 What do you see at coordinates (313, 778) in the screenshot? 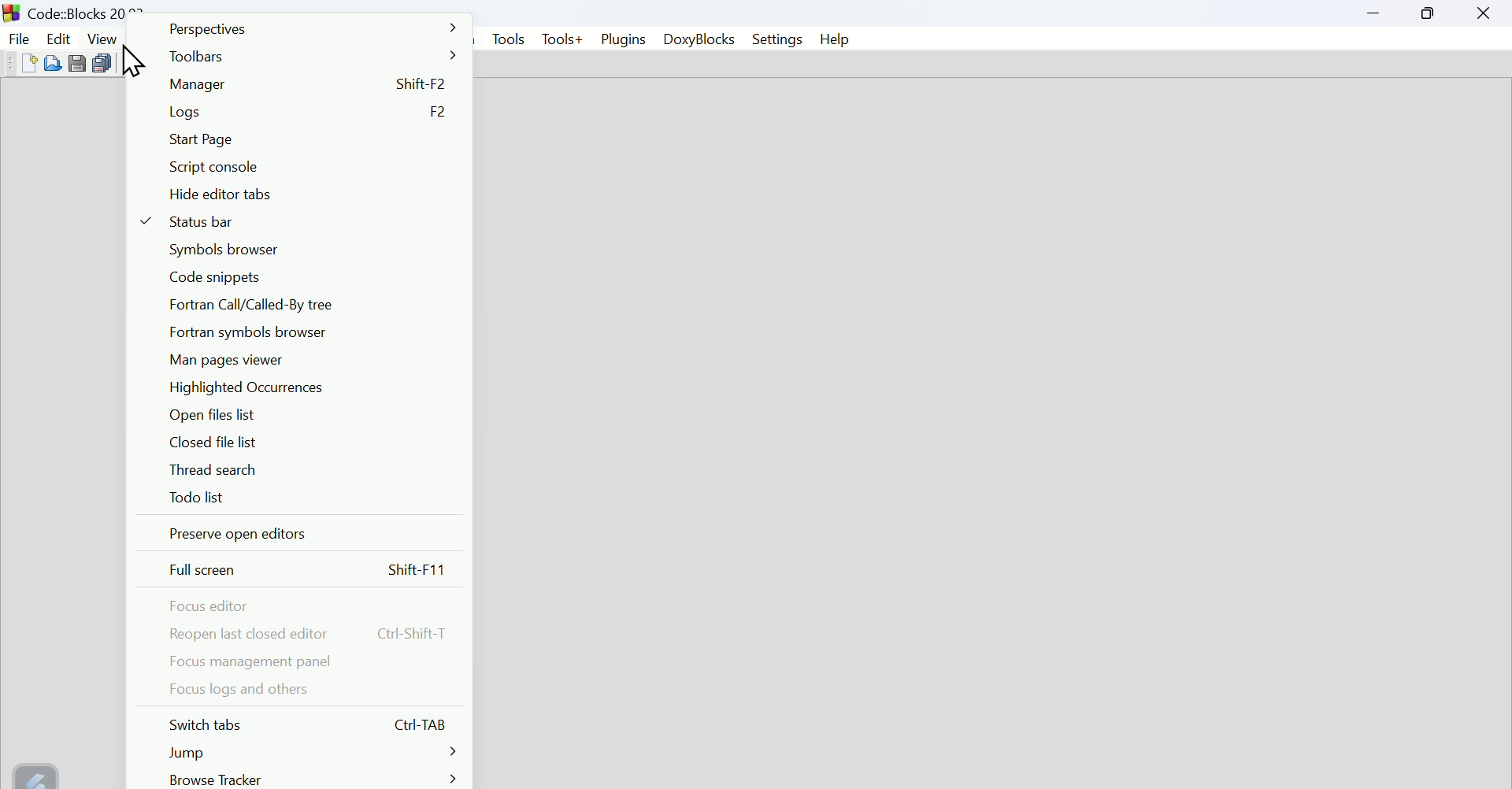
I see `Browse tracker` at bounding box center [313, 778].